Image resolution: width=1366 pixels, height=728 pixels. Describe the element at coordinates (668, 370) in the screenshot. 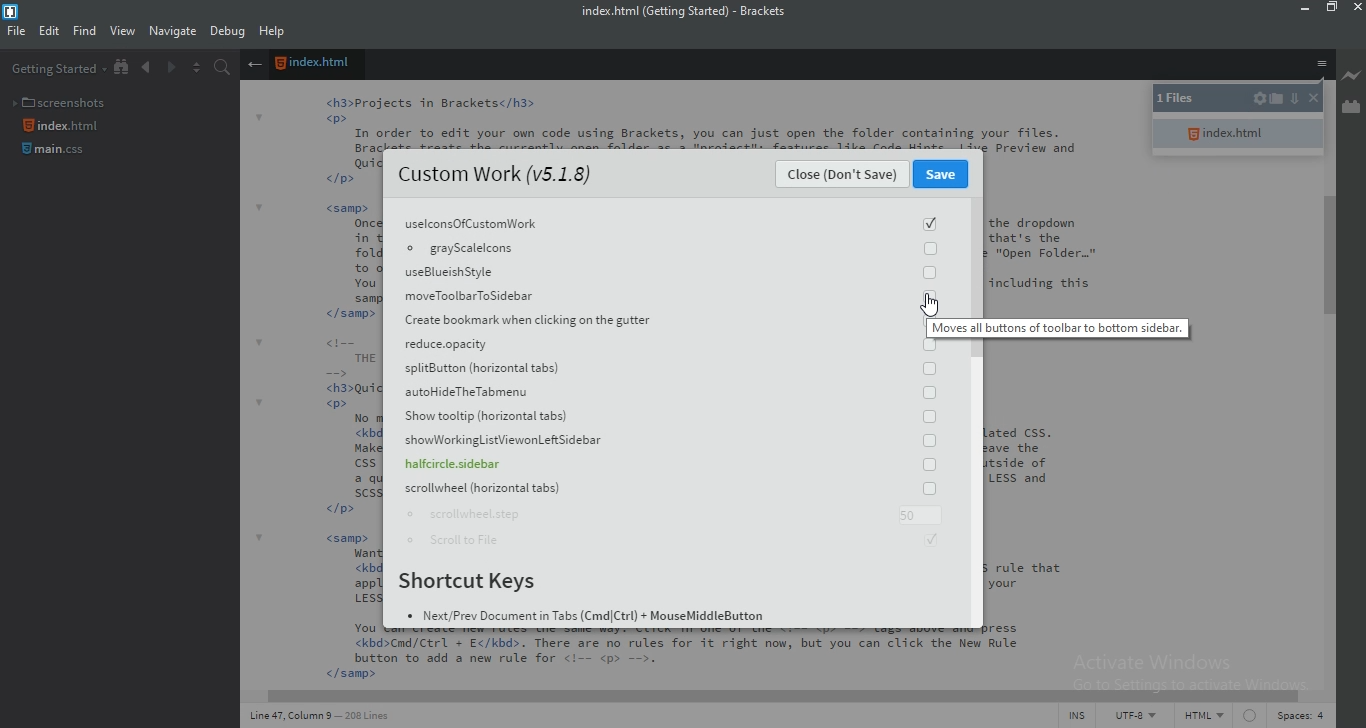

I see `splitButton (horizontal tabs)` at that location.